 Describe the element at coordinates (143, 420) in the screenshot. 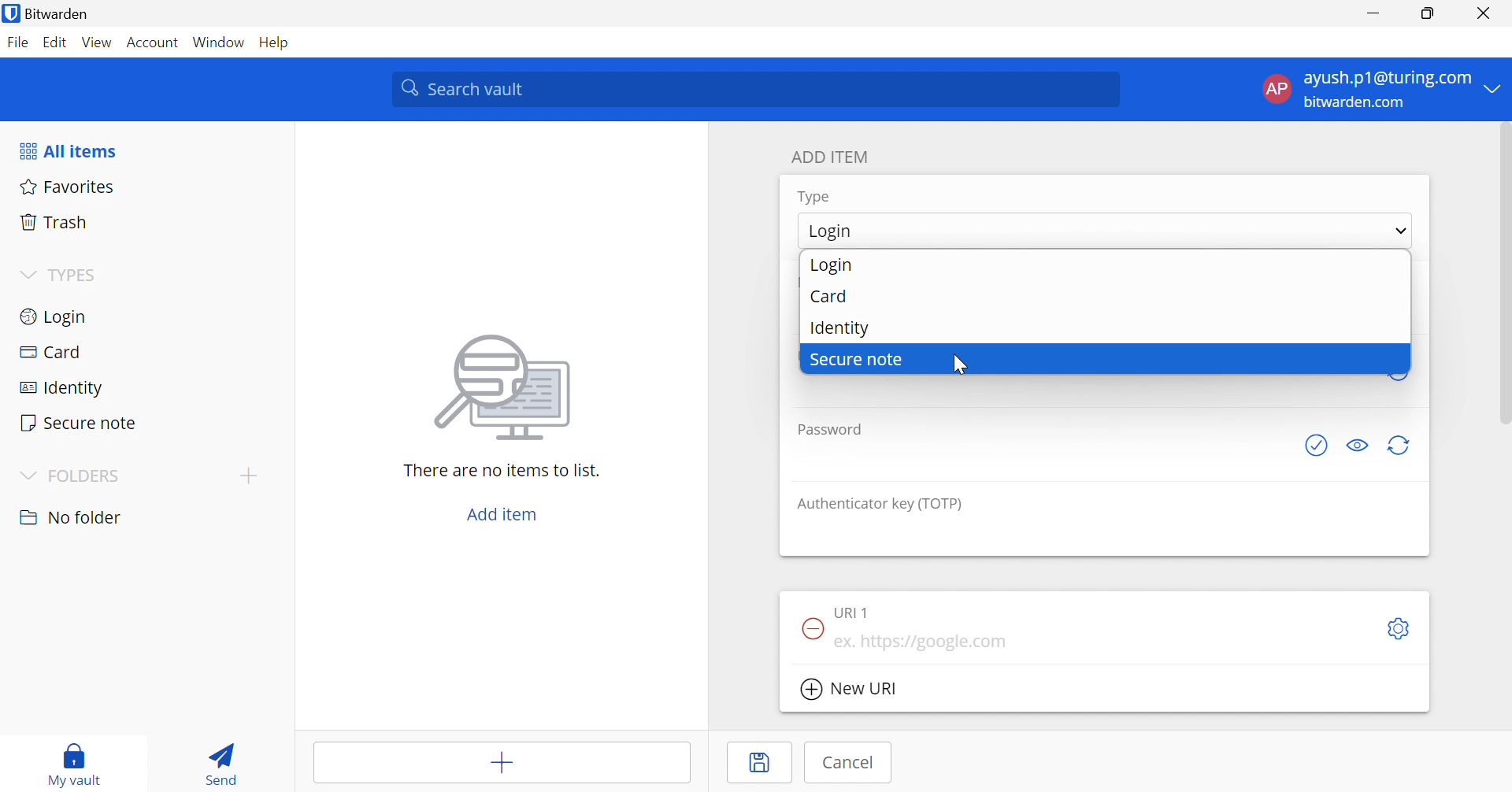

I see `Secure note` at that location.